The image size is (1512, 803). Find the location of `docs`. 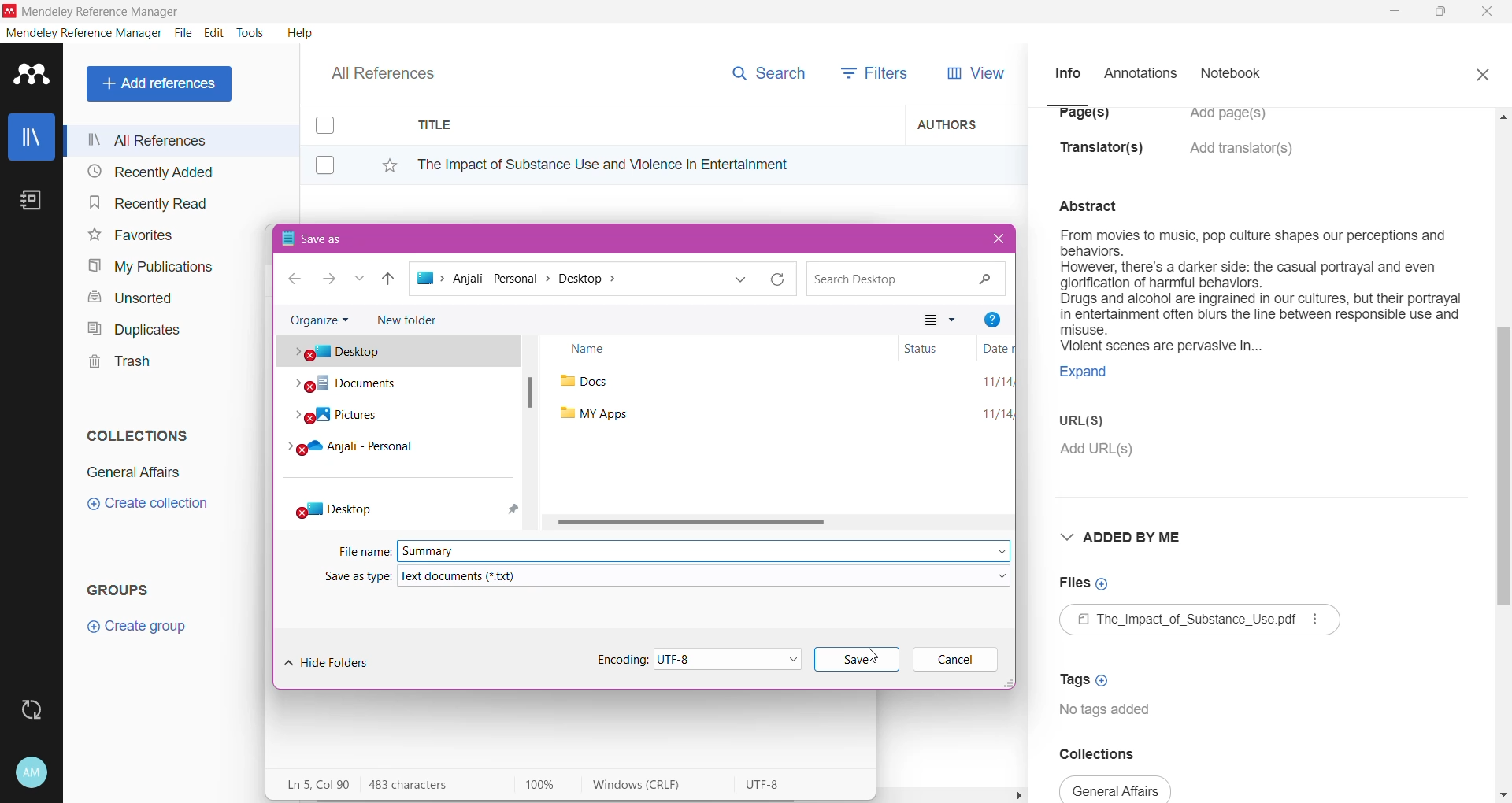

docs is located at coordinates (589, 383).